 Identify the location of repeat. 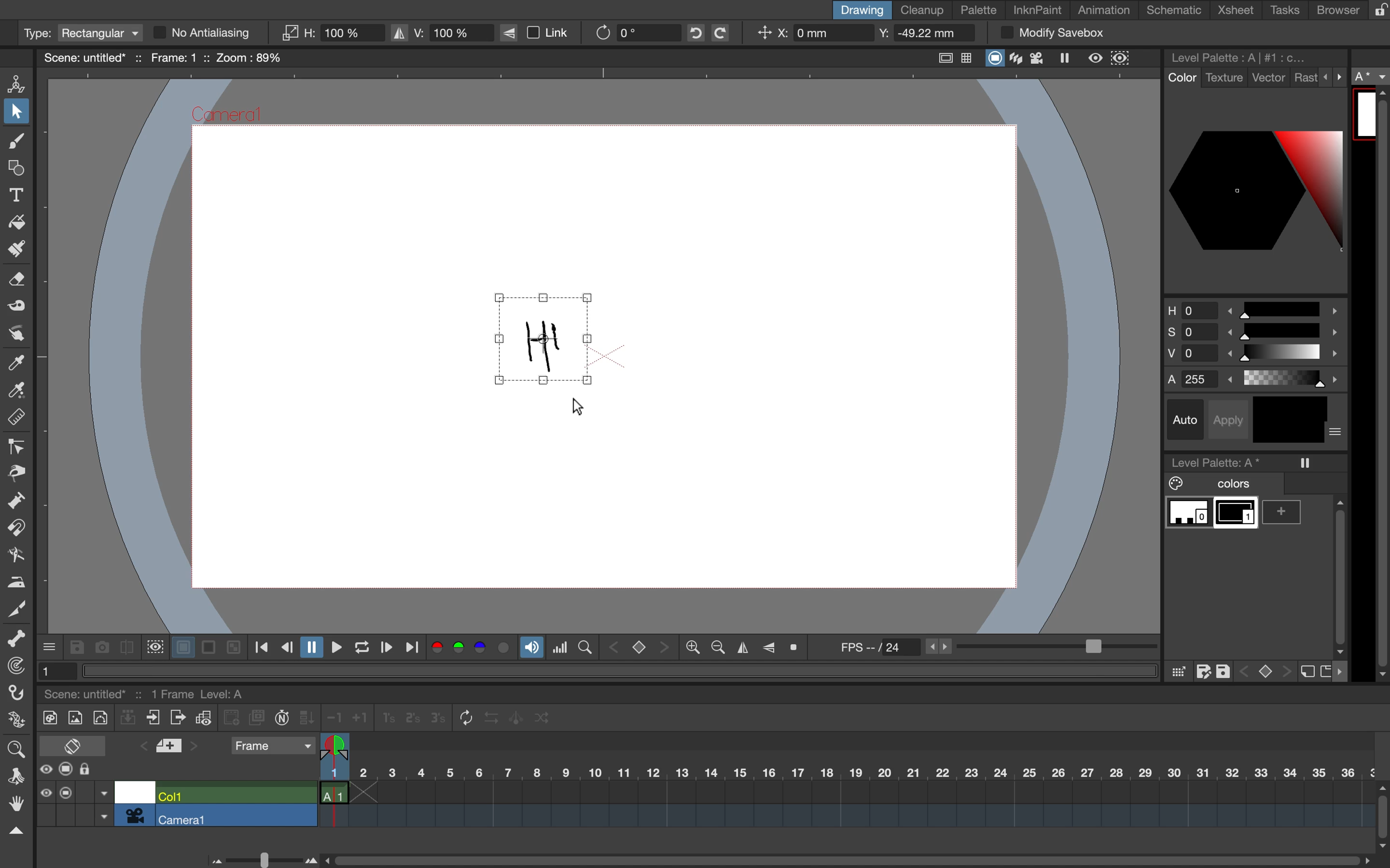
(462, 719).